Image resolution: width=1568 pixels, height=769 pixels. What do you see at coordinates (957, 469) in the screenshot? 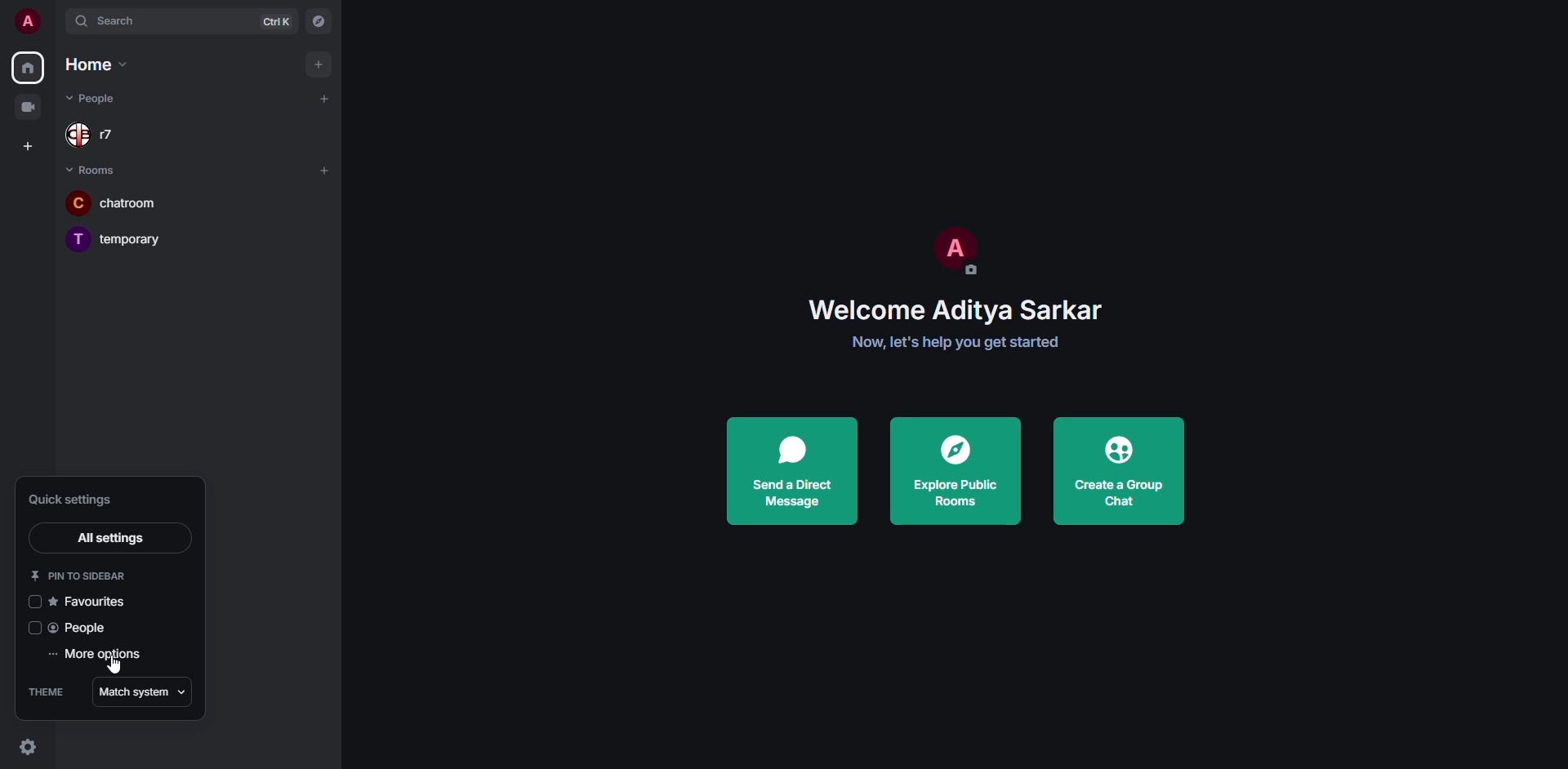
I see `explore public rooms` at bounding box center [957, 469].